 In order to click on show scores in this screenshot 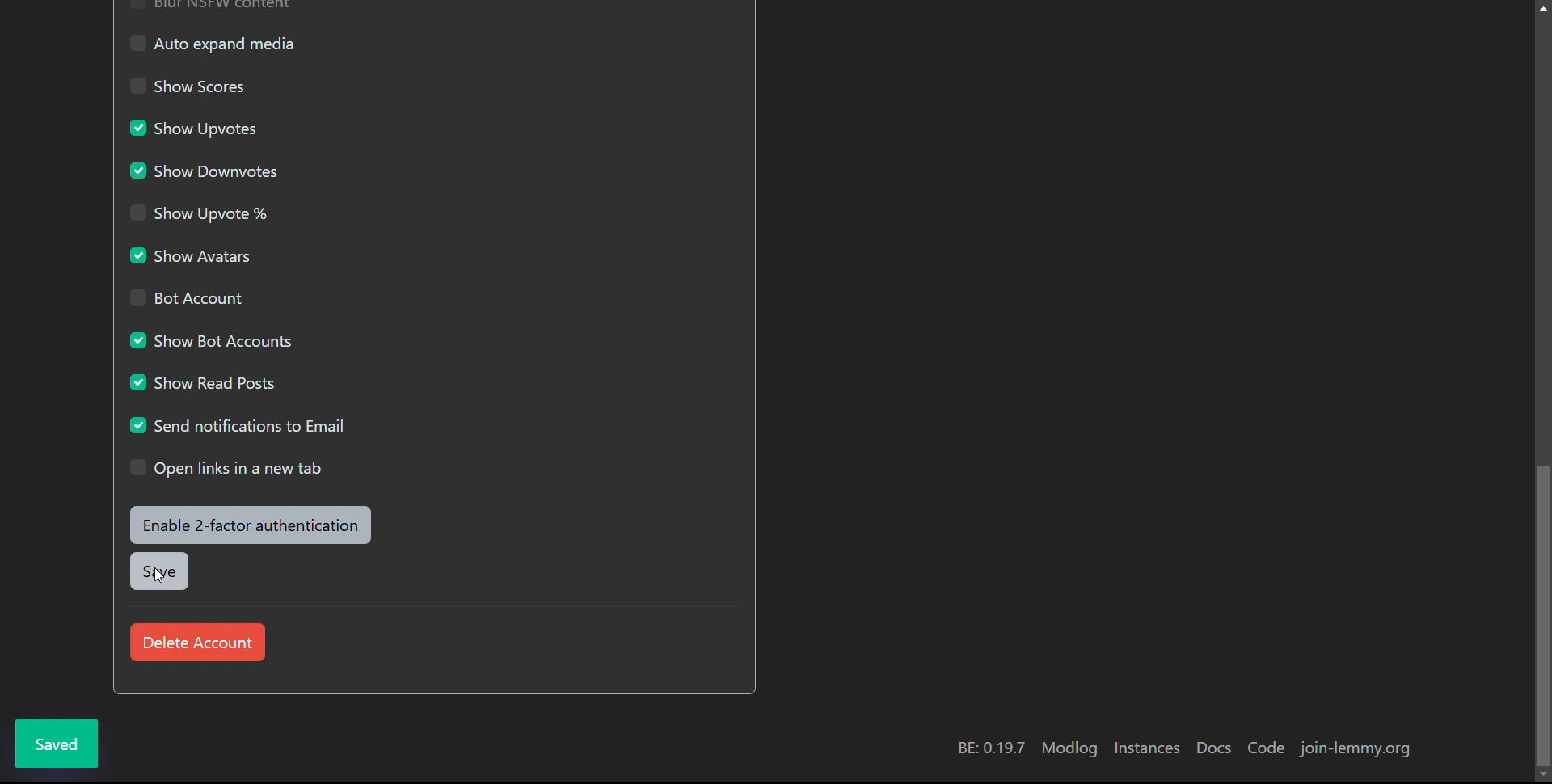, I will do `click(192, 86)`.